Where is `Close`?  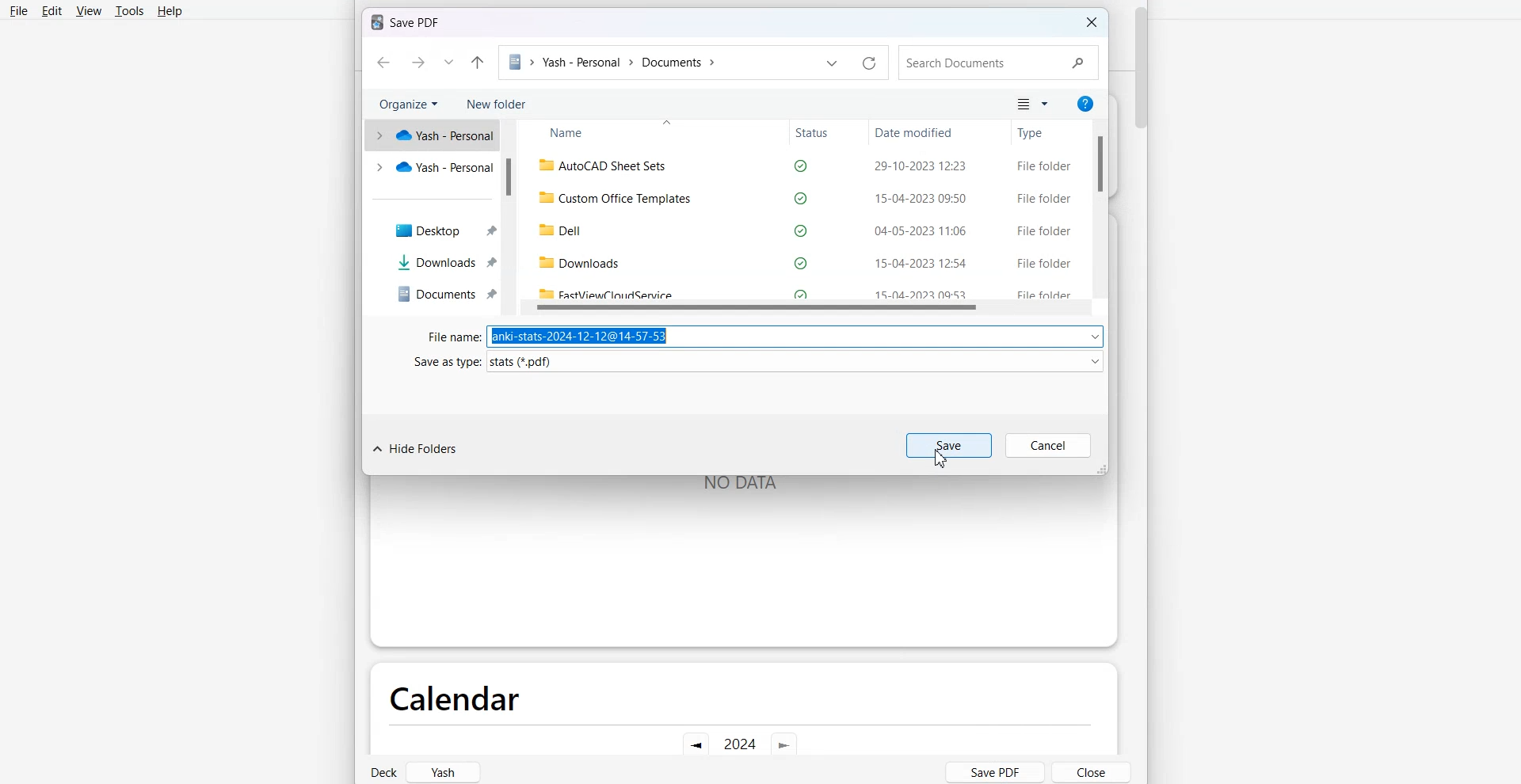
Close is located at coordinates (1091, 21).